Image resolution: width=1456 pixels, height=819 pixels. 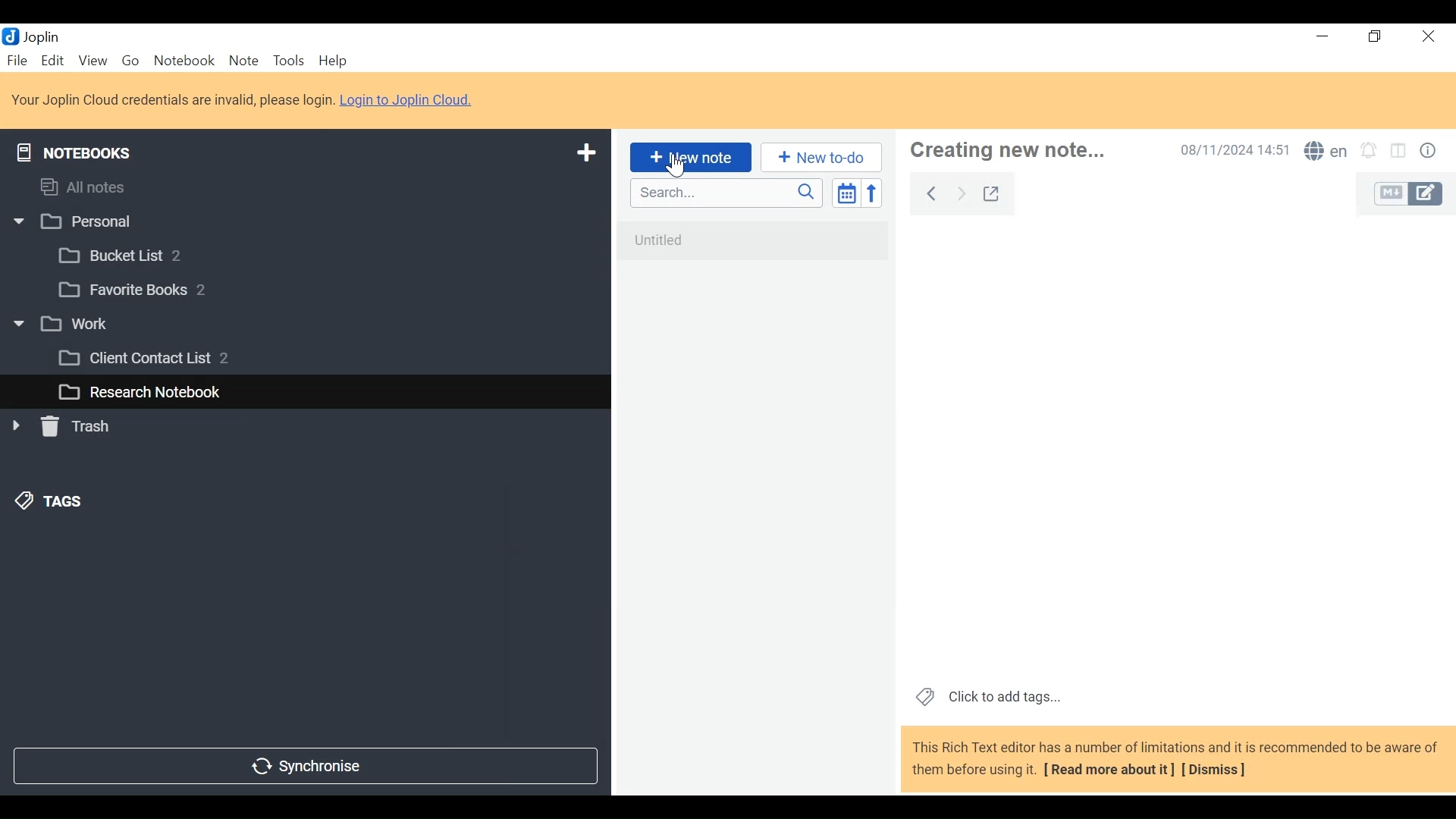 What do you see at coordinates (692, 158) in the screenshot?
I see `Add New Note` at bounding box center [692, 158].